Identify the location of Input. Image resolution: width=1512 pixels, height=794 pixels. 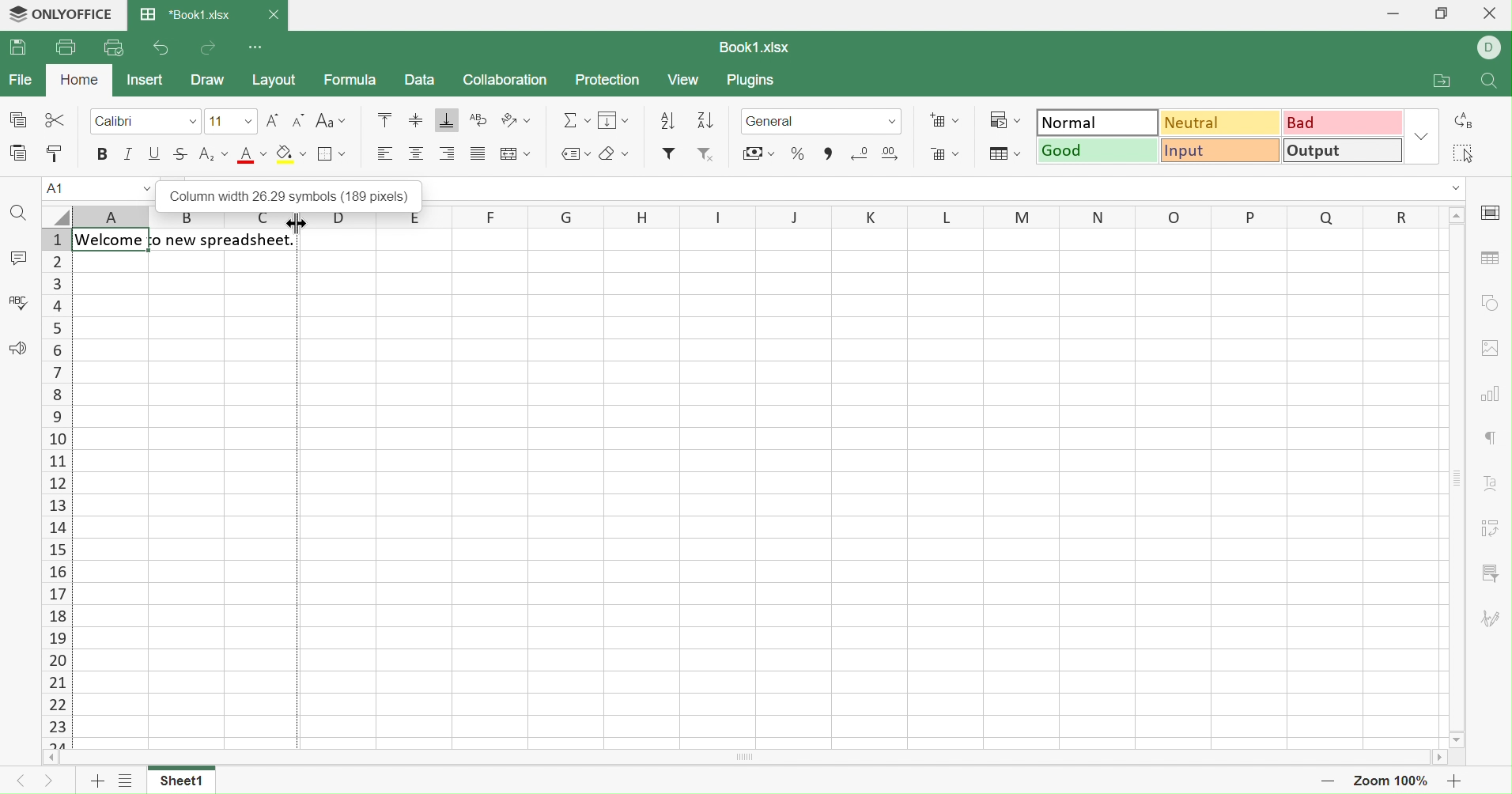
(1223, 151).